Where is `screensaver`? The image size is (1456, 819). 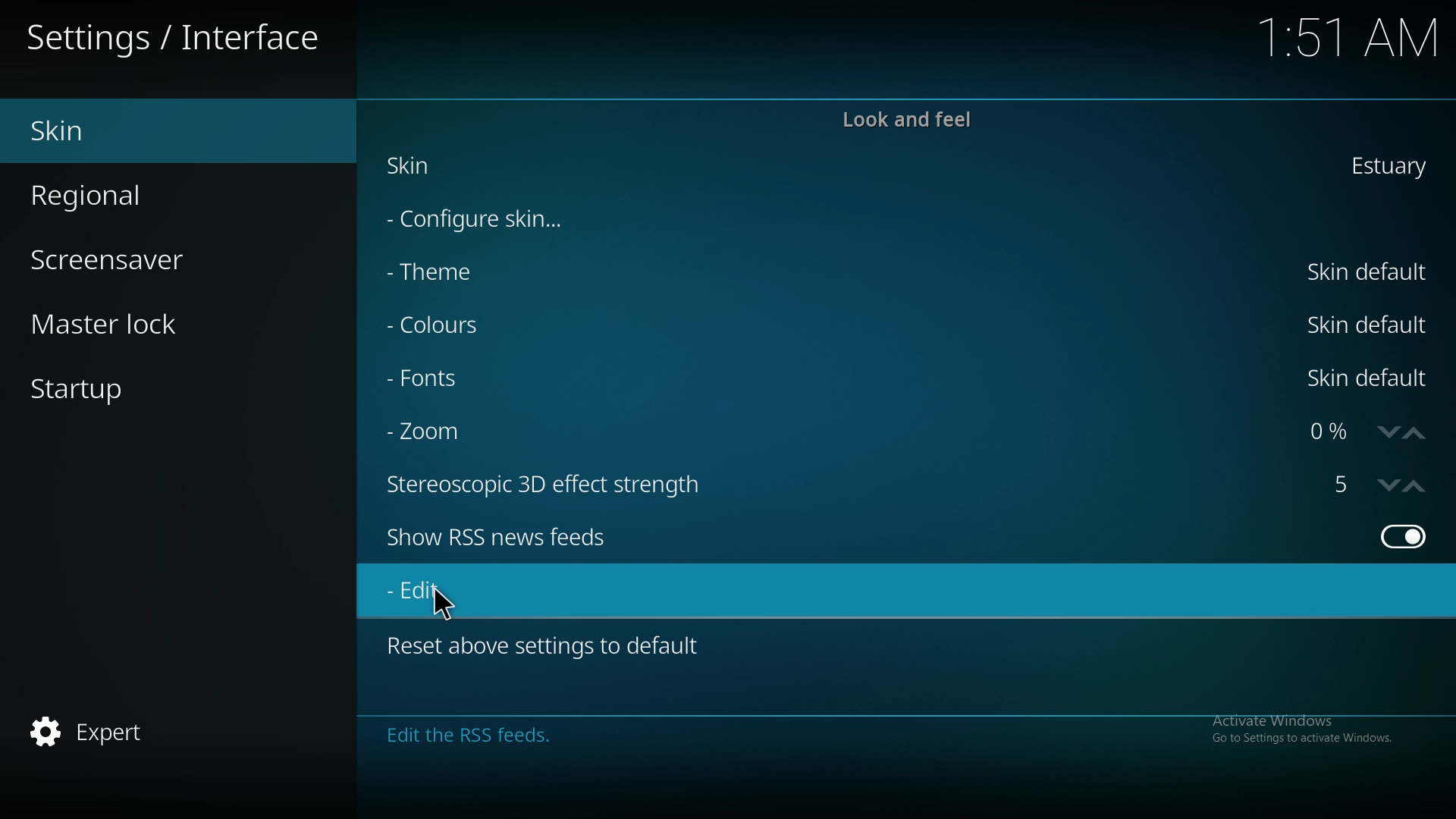 screensaver is located at coordinates (126, 258).